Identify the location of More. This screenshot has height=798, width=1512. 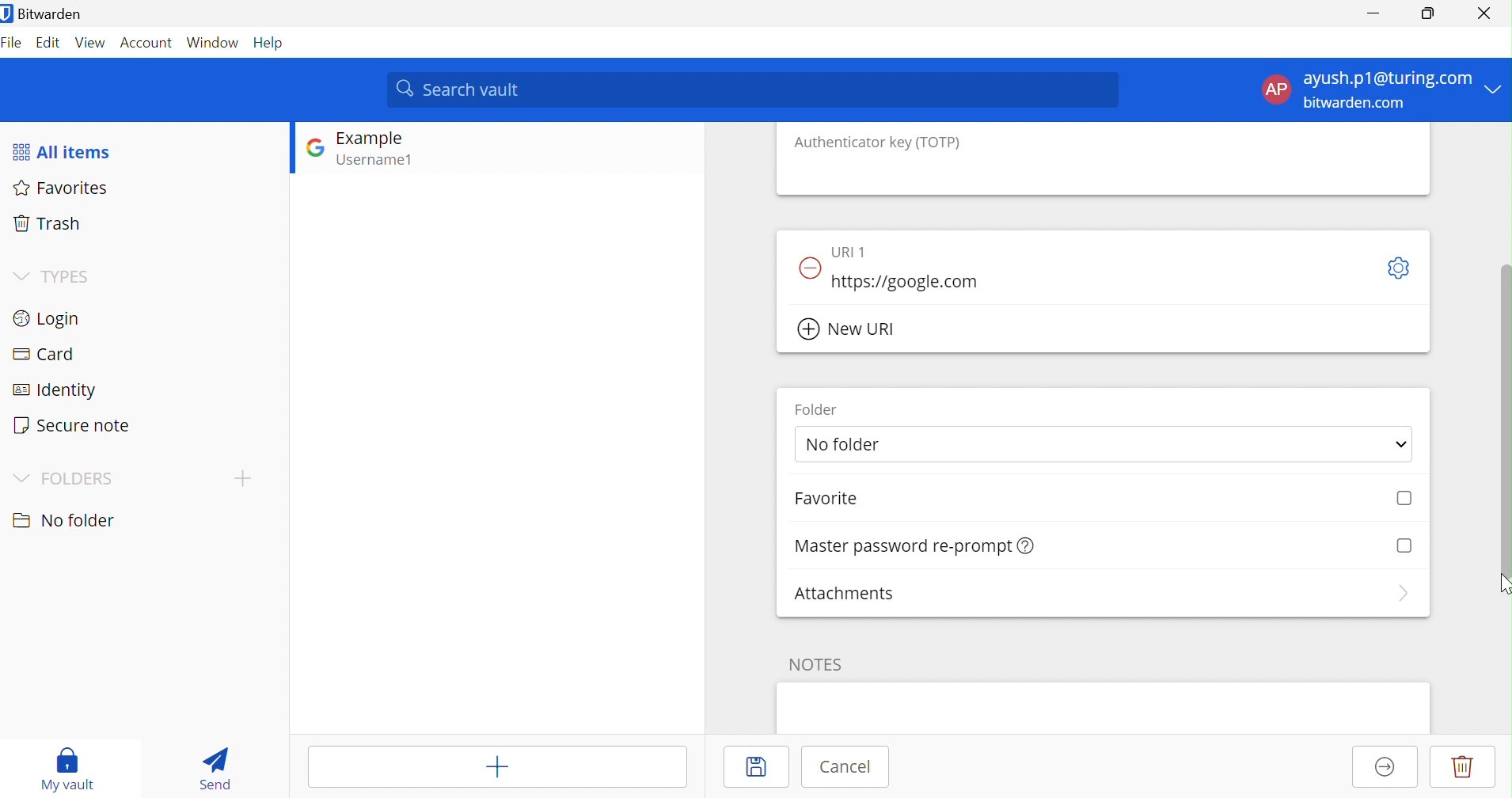
(1401, 594).